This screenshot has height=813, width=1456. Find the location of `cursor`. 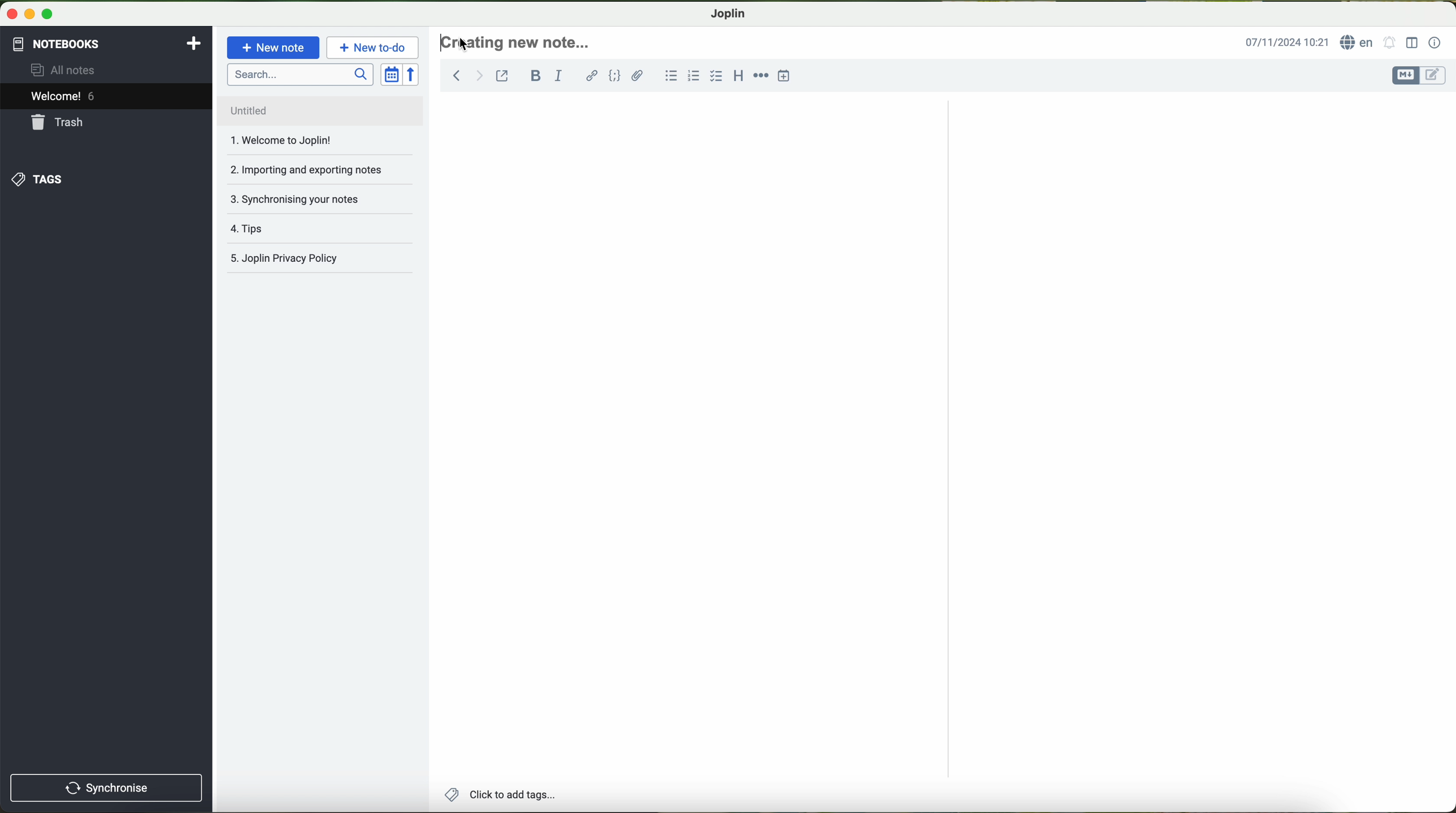

cursor is located at coordinates (466, 47).